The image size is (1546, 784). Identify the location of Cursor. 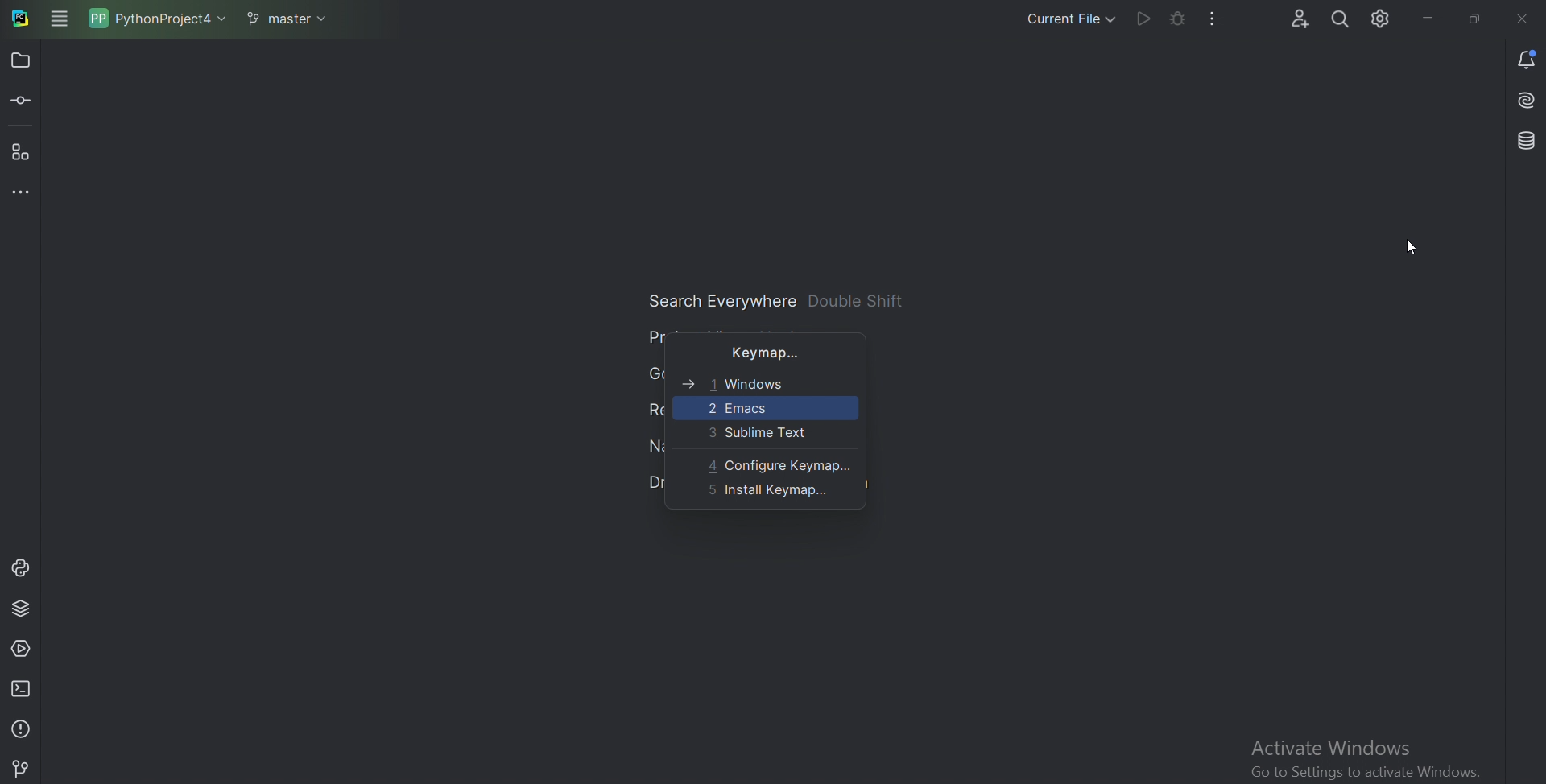
(1415, 248).